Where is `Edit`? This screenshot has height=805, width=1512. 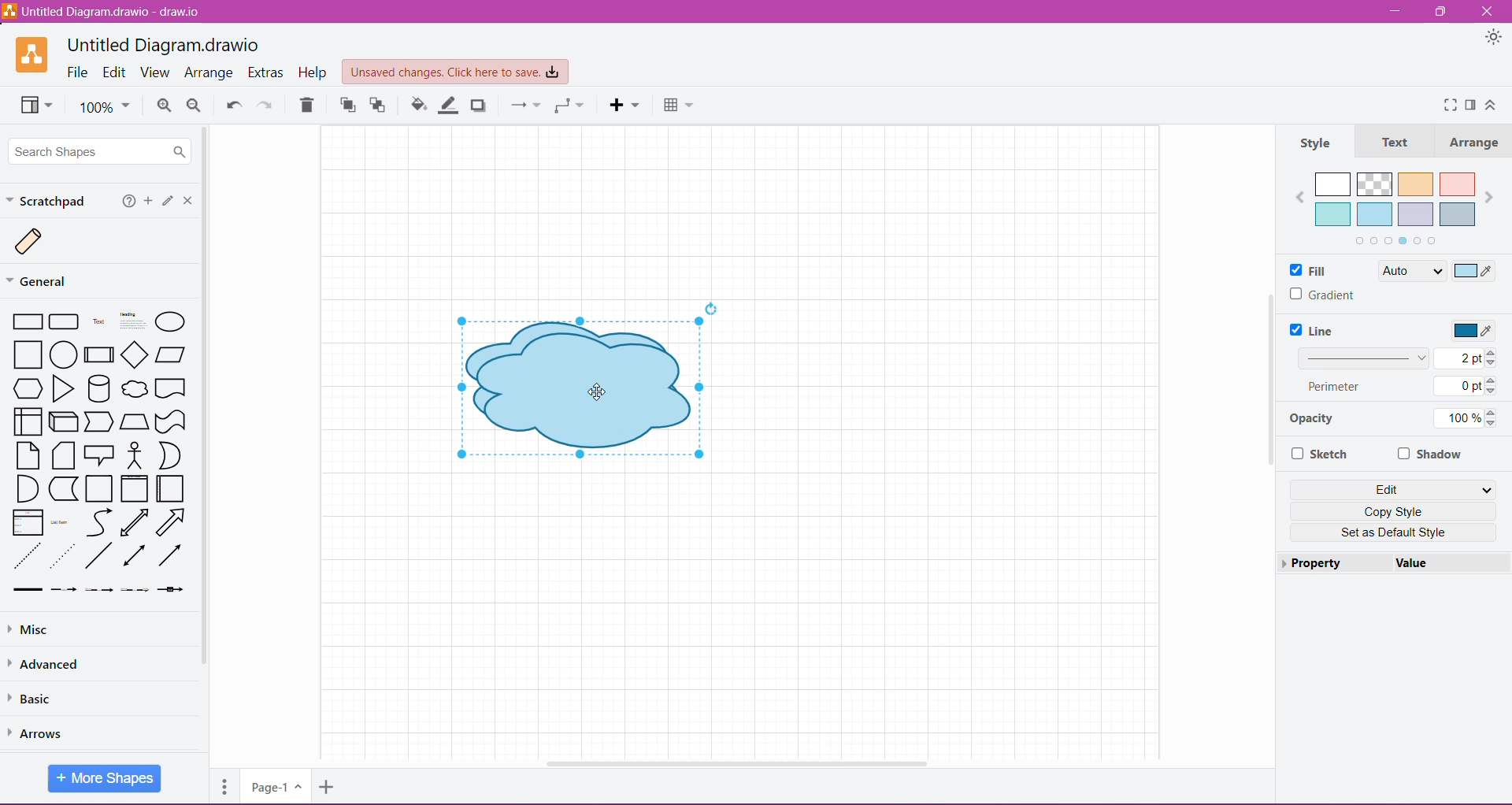 Edit is located at coordinates (116, 72).